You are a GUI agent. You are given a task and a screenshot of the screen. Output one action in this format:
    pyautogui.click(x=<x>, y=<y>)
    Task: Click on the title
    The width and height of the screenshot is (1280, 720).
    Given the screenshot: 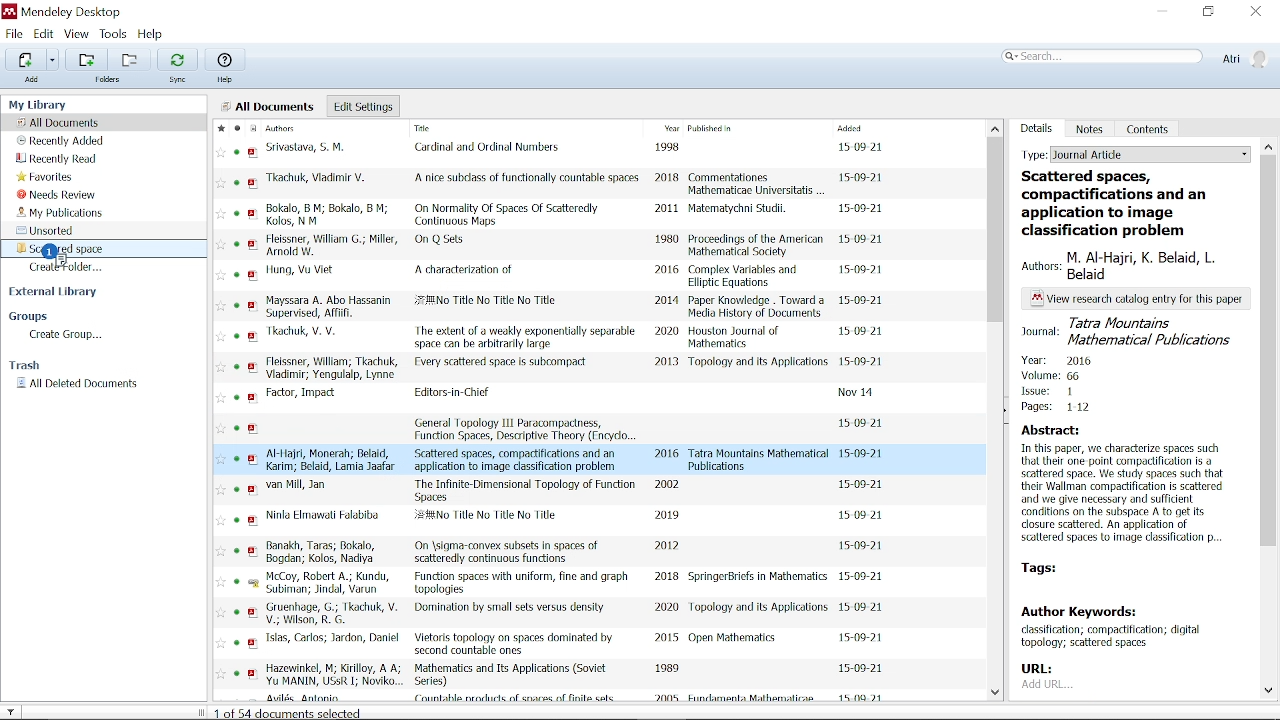 What is the action you would take?
    pyautogui.click(x=511, y=675)
    